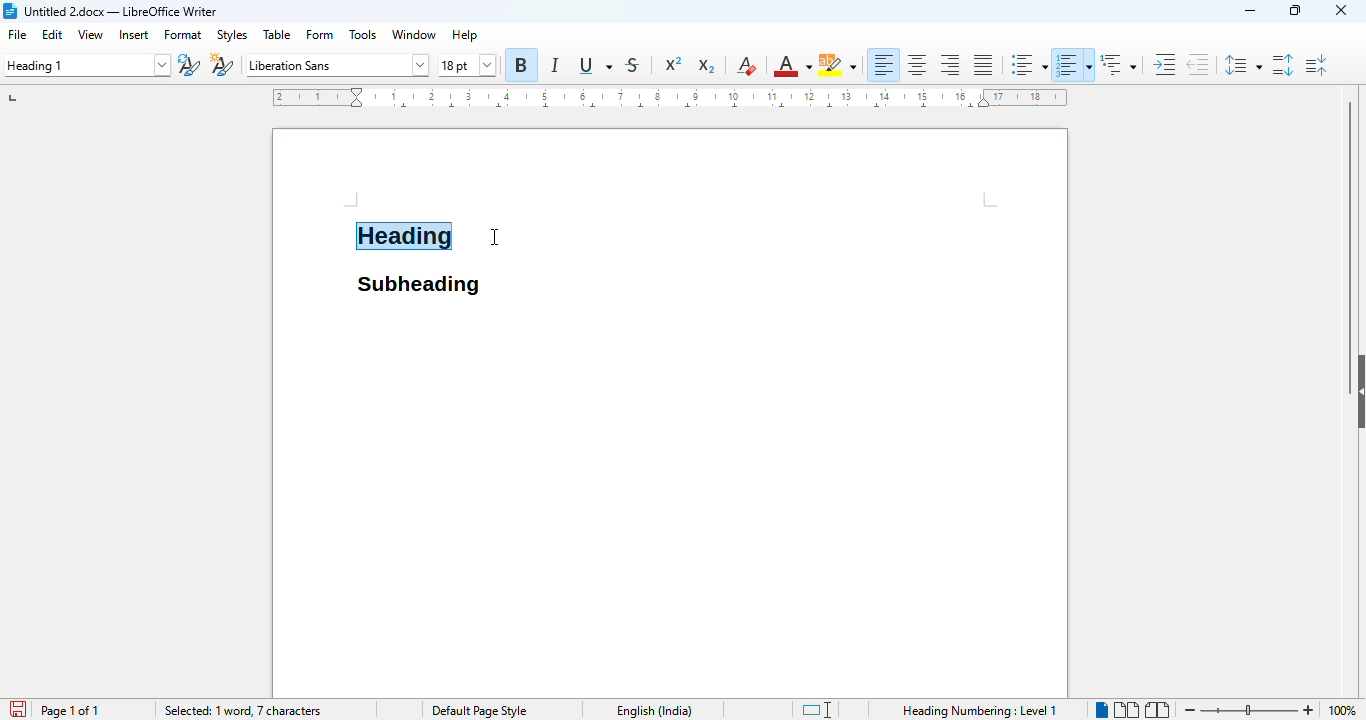  What do you see at coordinates (674, 64) in the screenshot?
I see `superscript` at bounding box center [674, 64].